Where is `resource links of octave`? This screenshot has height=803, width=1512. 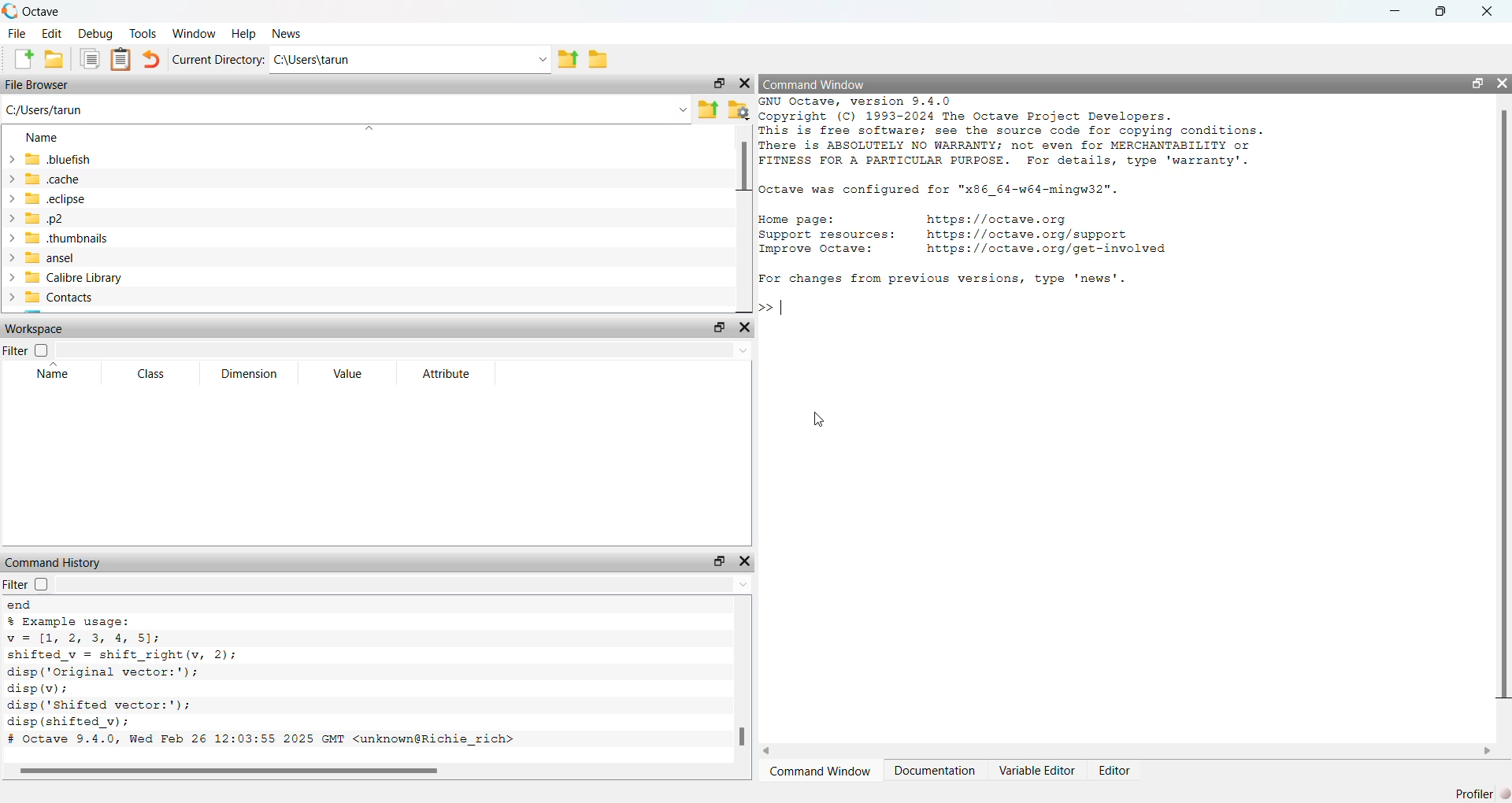 resource links of octave is located at coordinates (982, 237).